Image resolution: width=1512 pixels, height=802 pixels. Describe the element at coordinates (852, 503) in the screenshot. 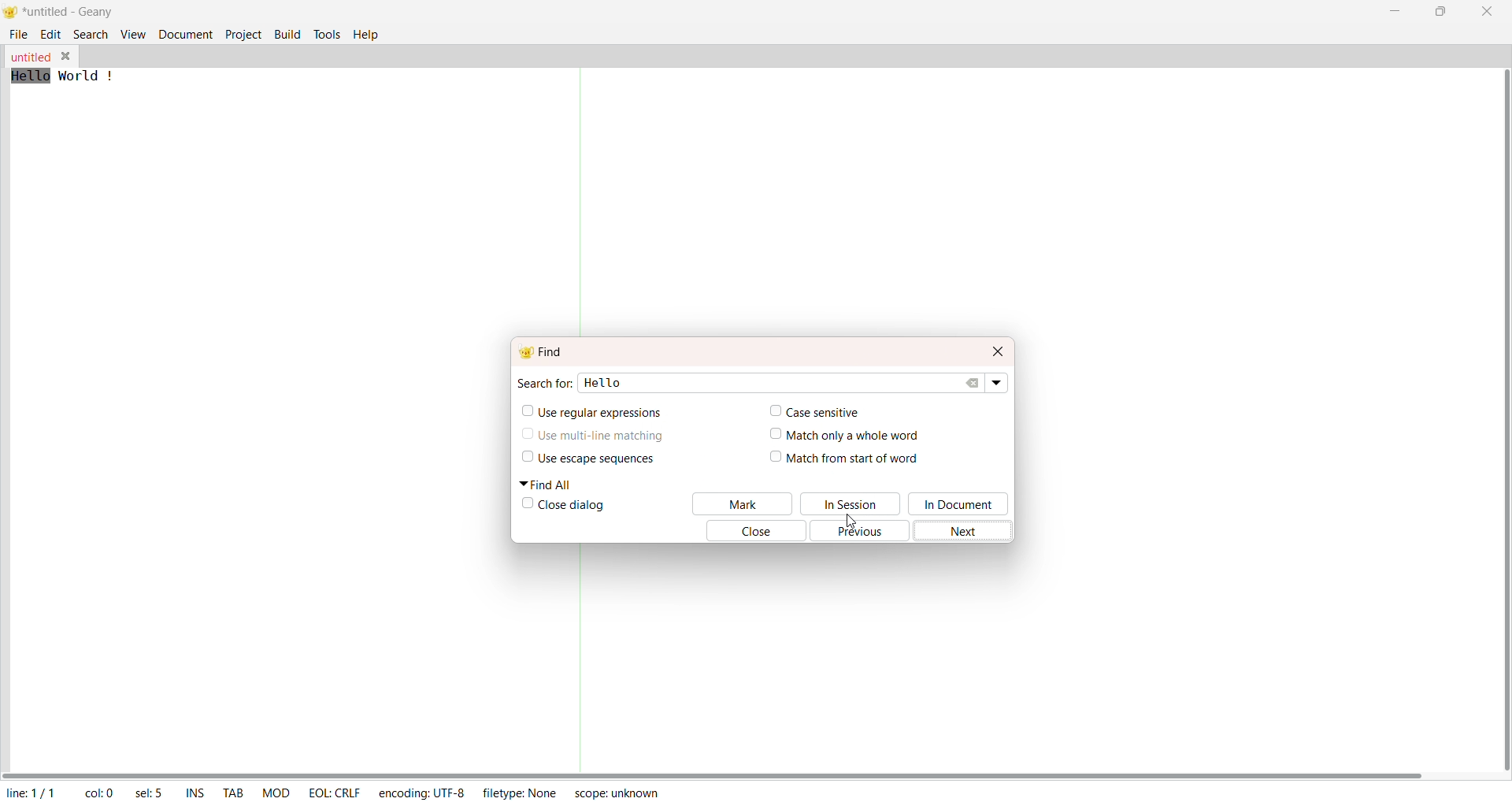

I see `In Session` at that location.